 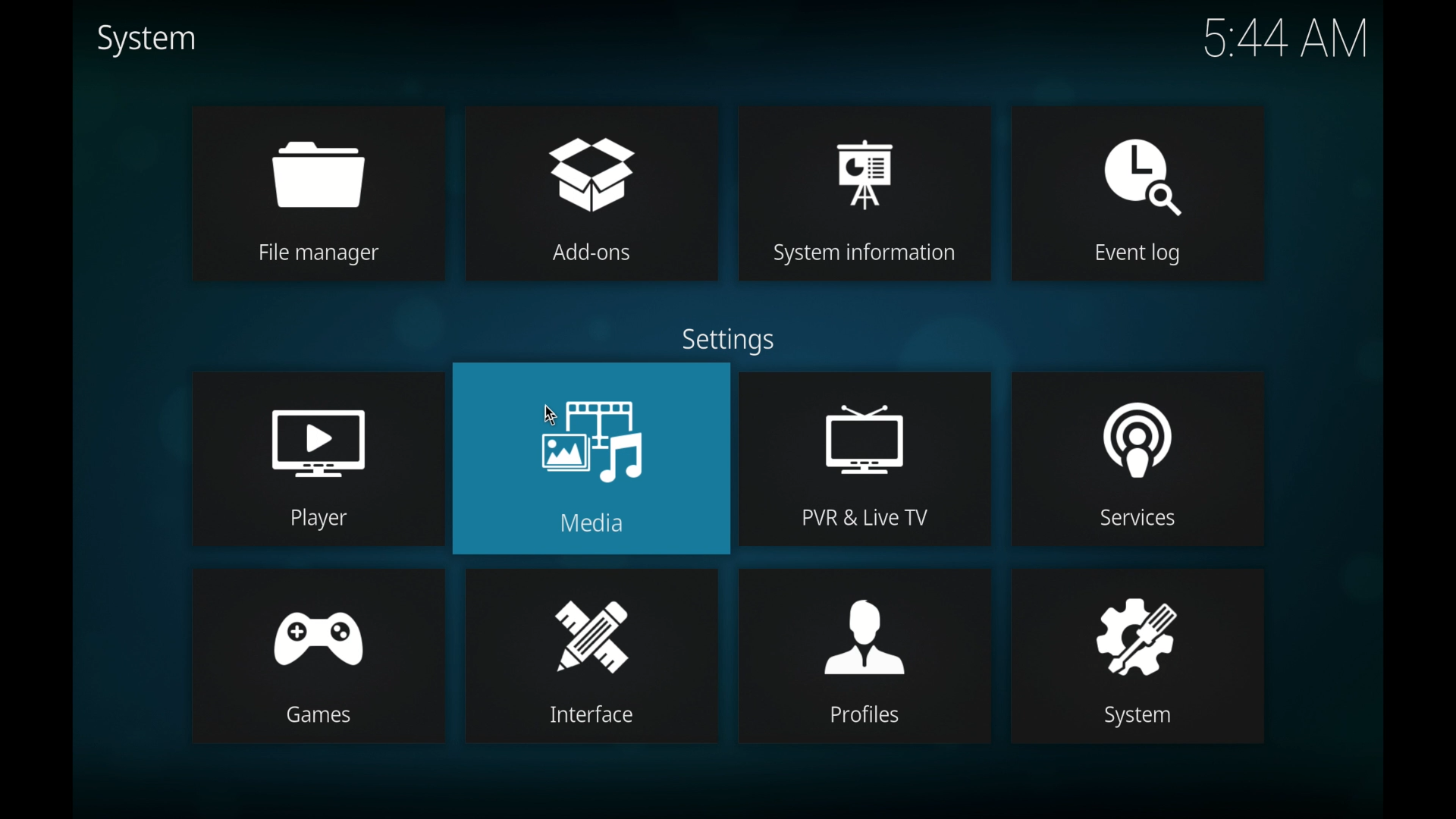 I want to click on settings, so click(x=729, y=341).